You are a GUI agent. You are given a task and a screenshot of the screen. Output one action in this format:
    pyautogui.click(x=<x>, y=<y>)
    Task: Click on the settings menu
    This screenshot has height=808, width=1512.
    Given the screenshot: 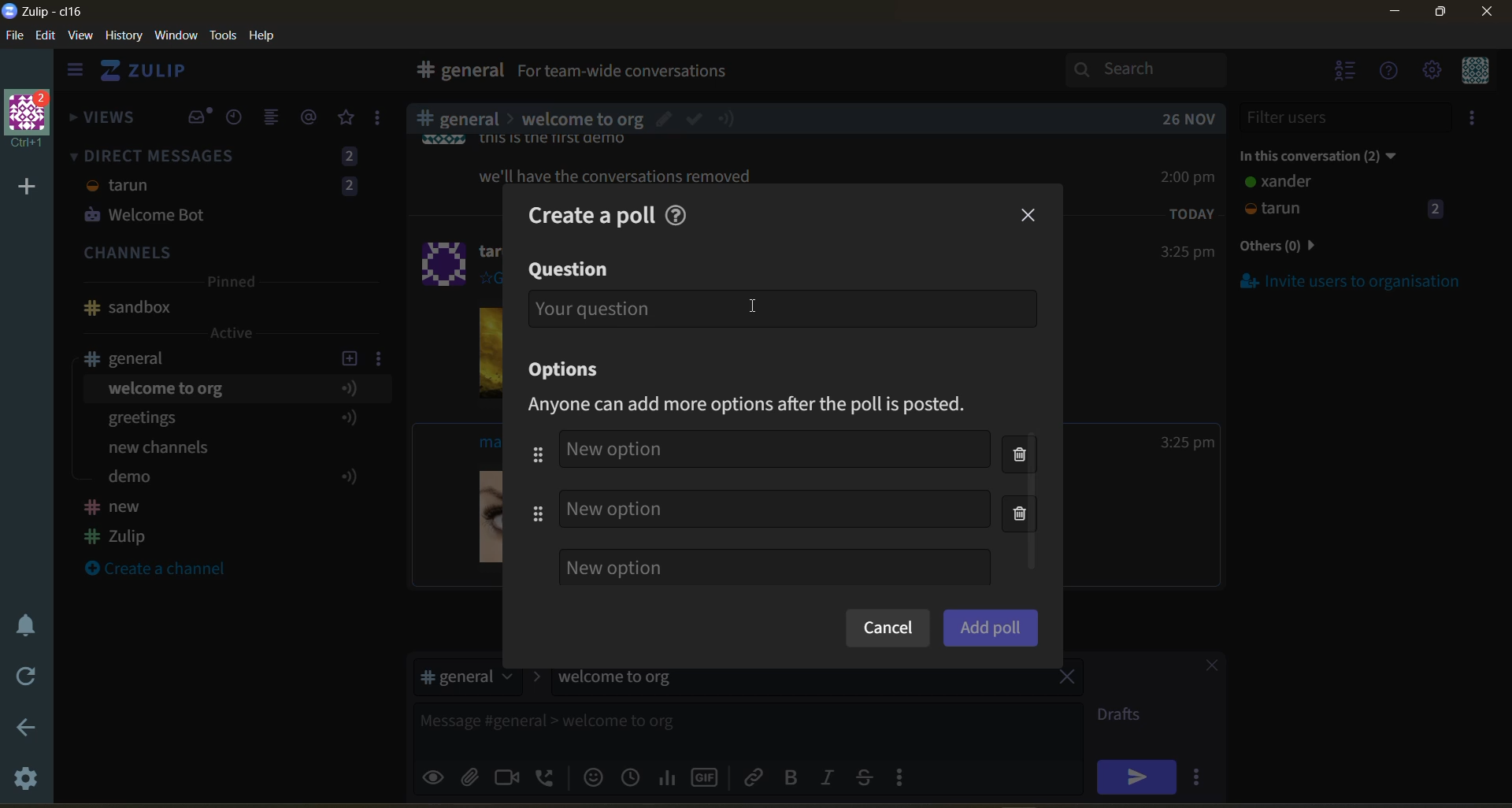 What is the action you would take?
    pyautogui.click(x=1431, y=72)
    